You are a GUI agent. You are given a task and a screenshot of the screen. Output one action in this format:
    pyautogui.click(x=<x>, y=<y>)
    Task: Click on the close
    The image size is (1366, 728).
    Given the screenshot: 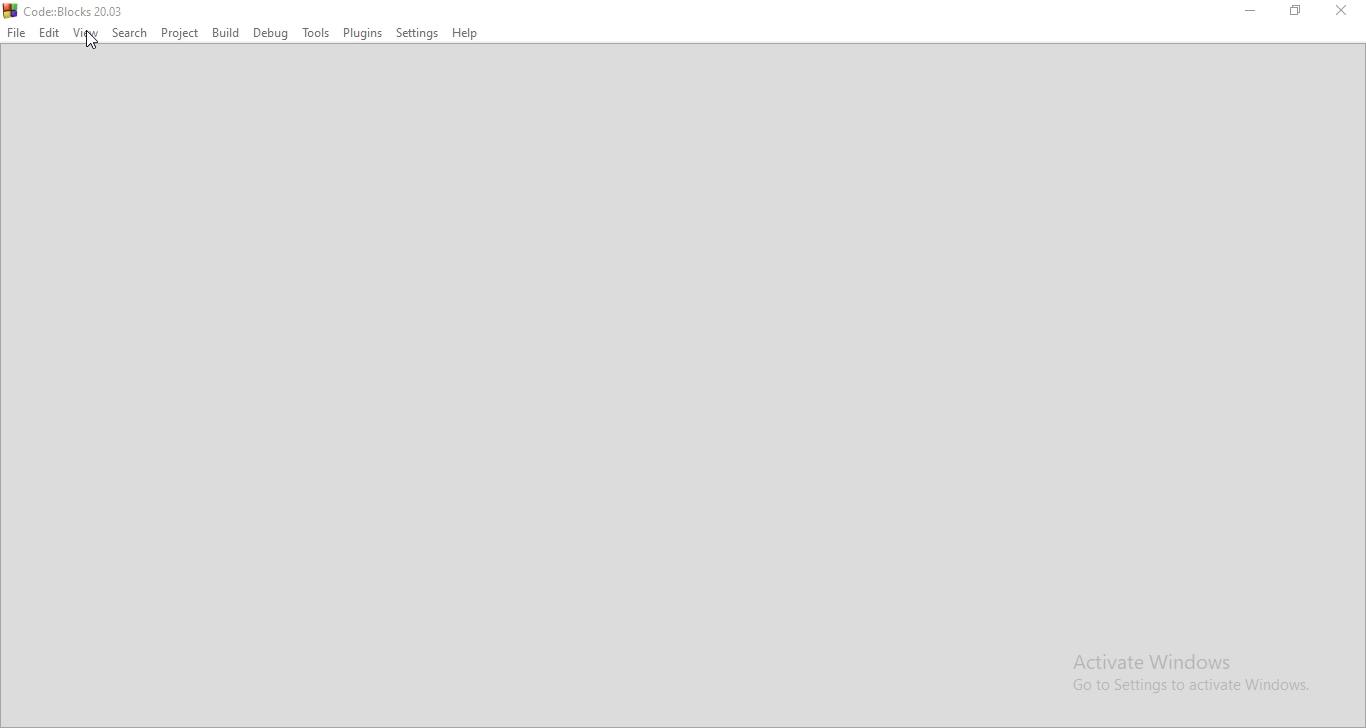 What is the action you would take?
    pyautogui.click(x=1345, y=12)
    